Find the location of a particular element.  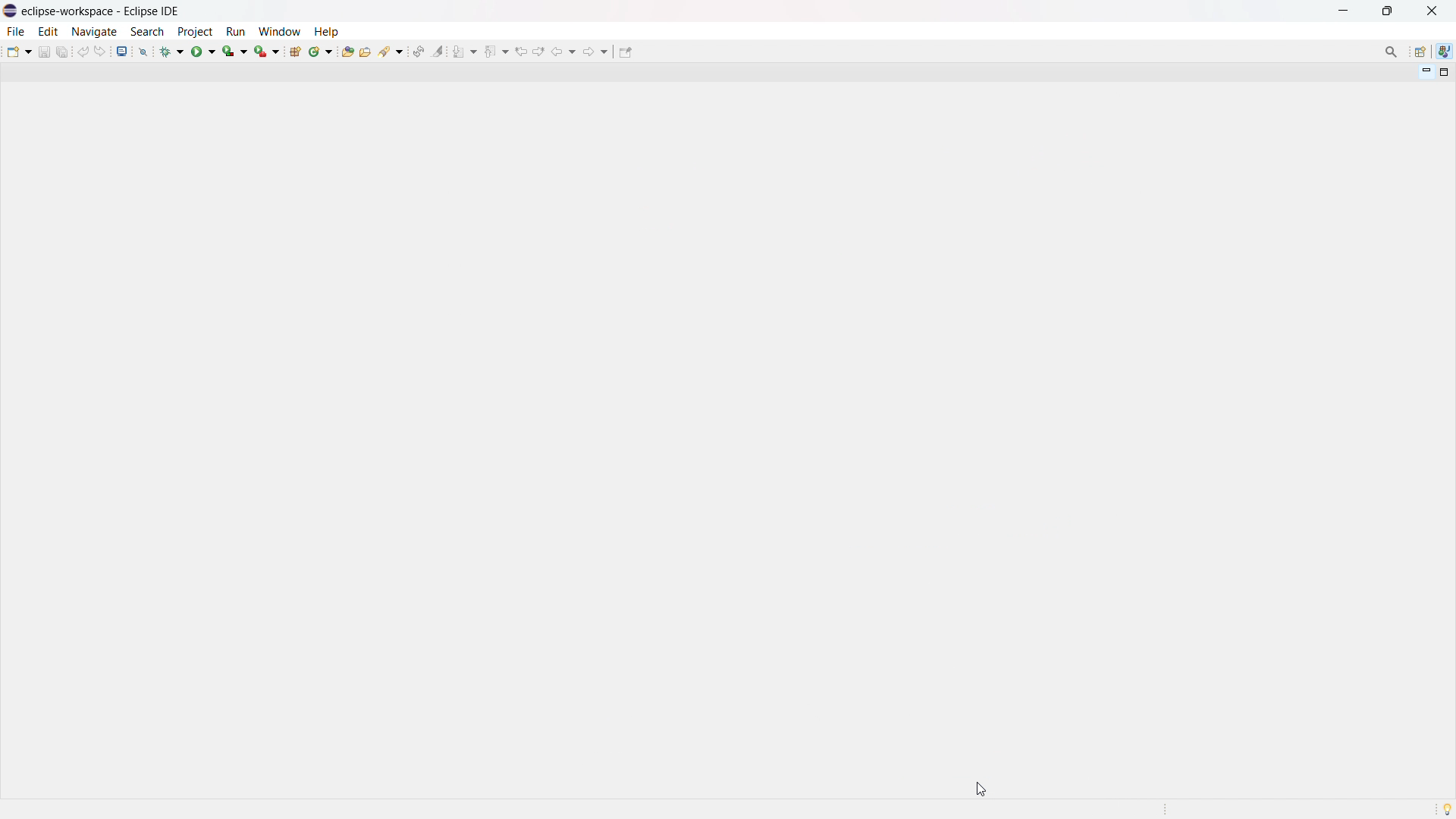

save is located at coordinates (44, 52).